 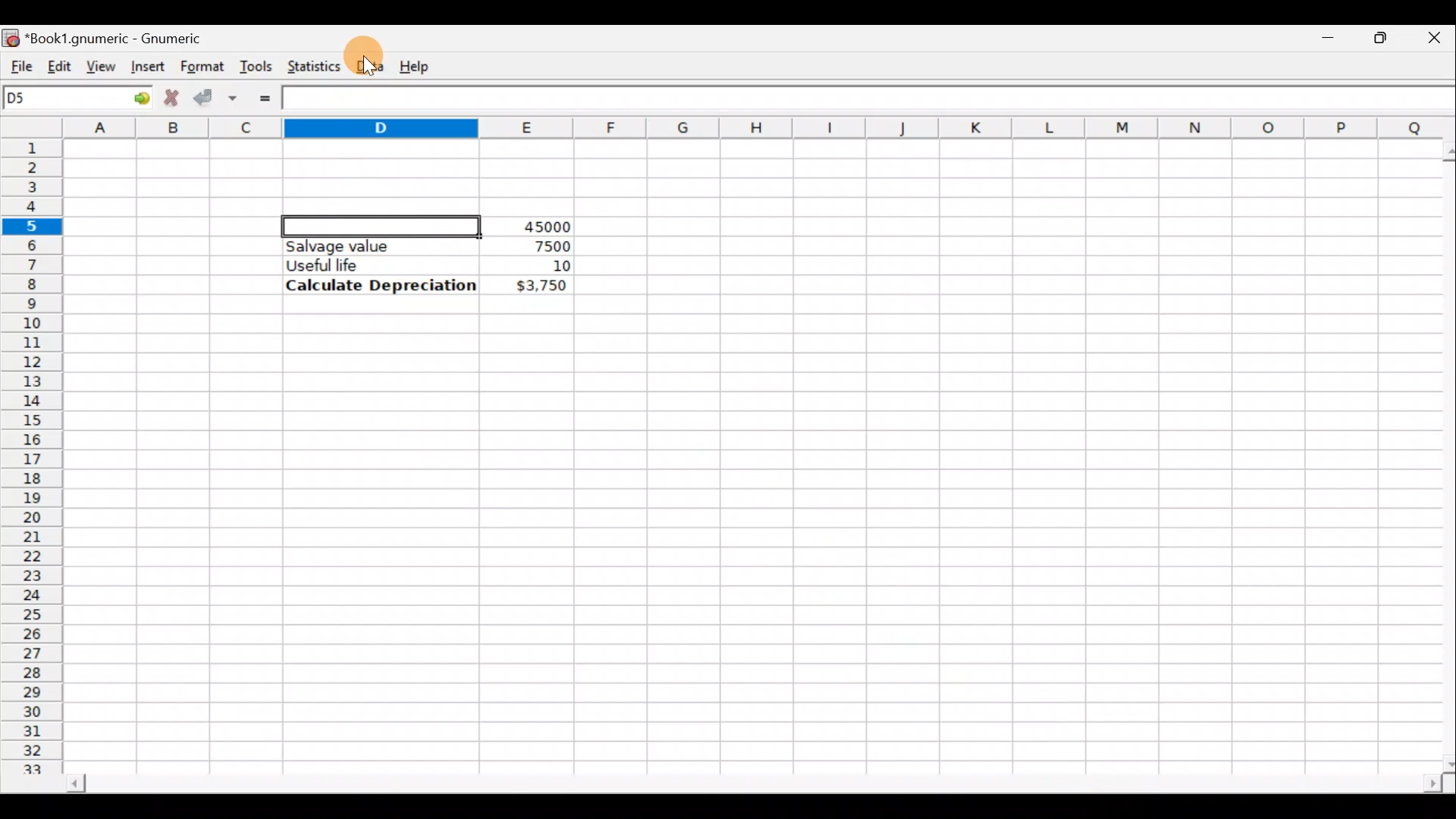 I want to click on Useful life, so click(x=372, y=265).